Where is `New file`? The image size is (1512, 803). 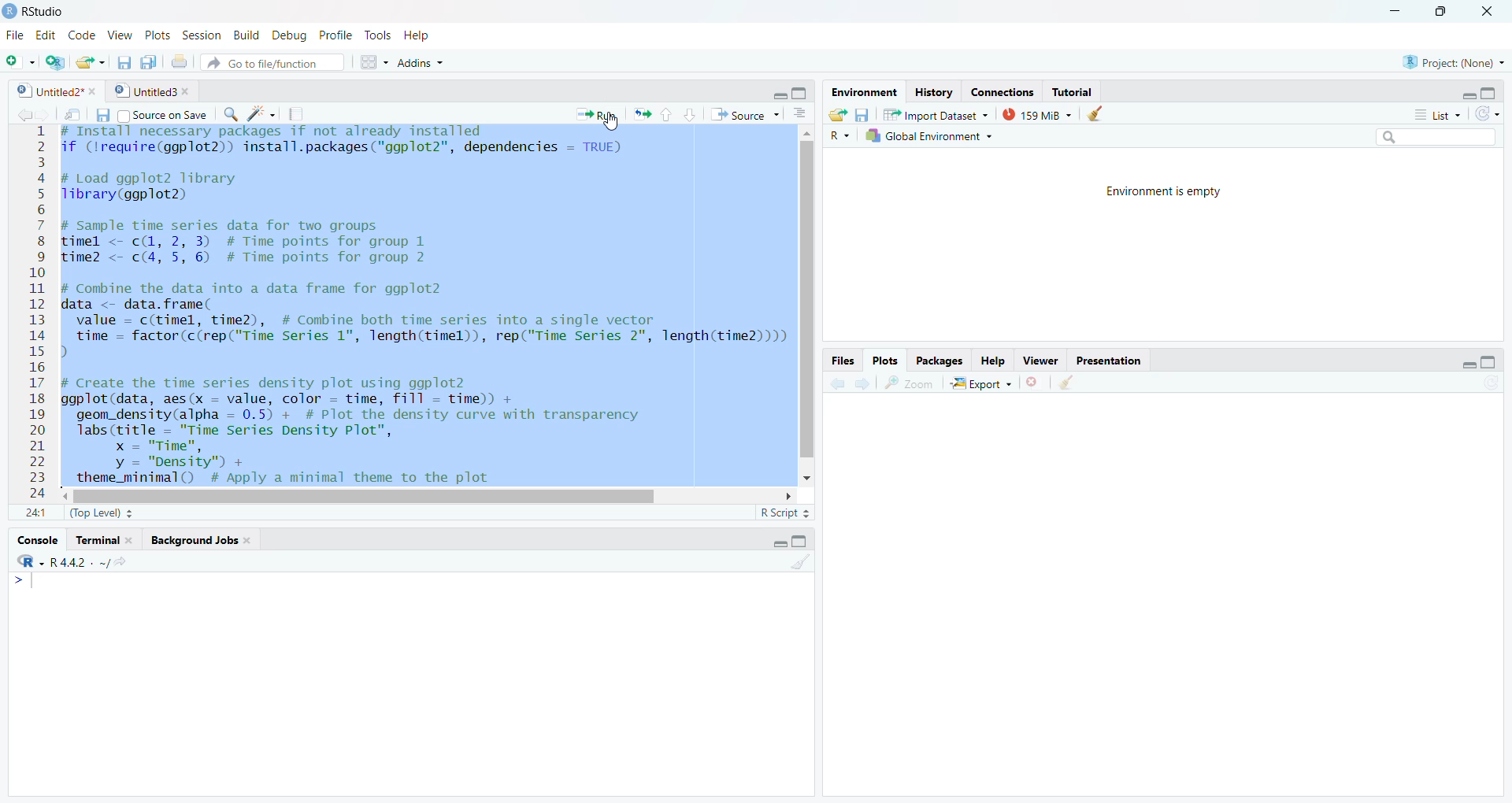 New file is located at coordinates (20, 62).